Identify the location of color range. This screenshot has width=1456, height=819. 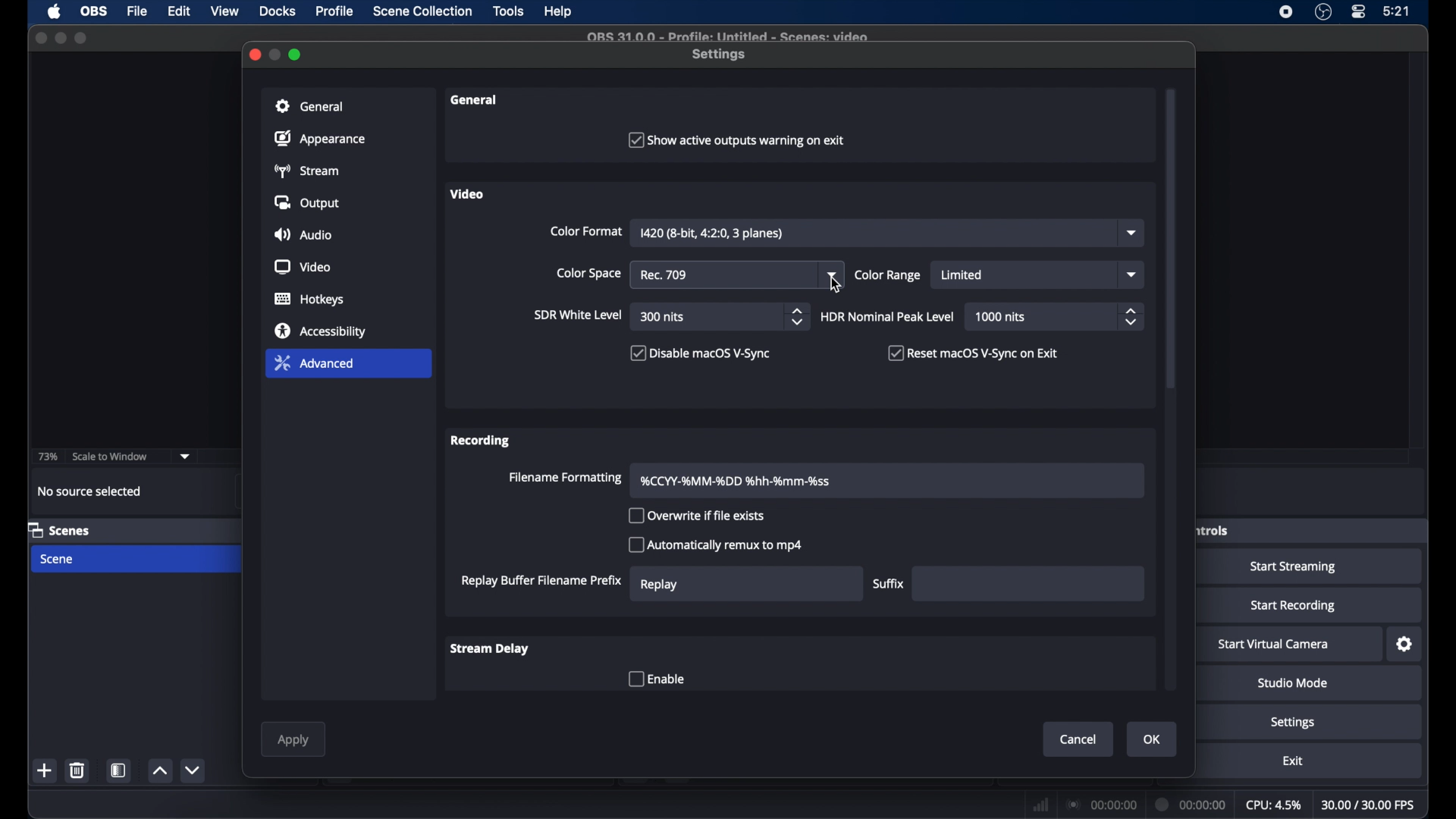
(887, 276).